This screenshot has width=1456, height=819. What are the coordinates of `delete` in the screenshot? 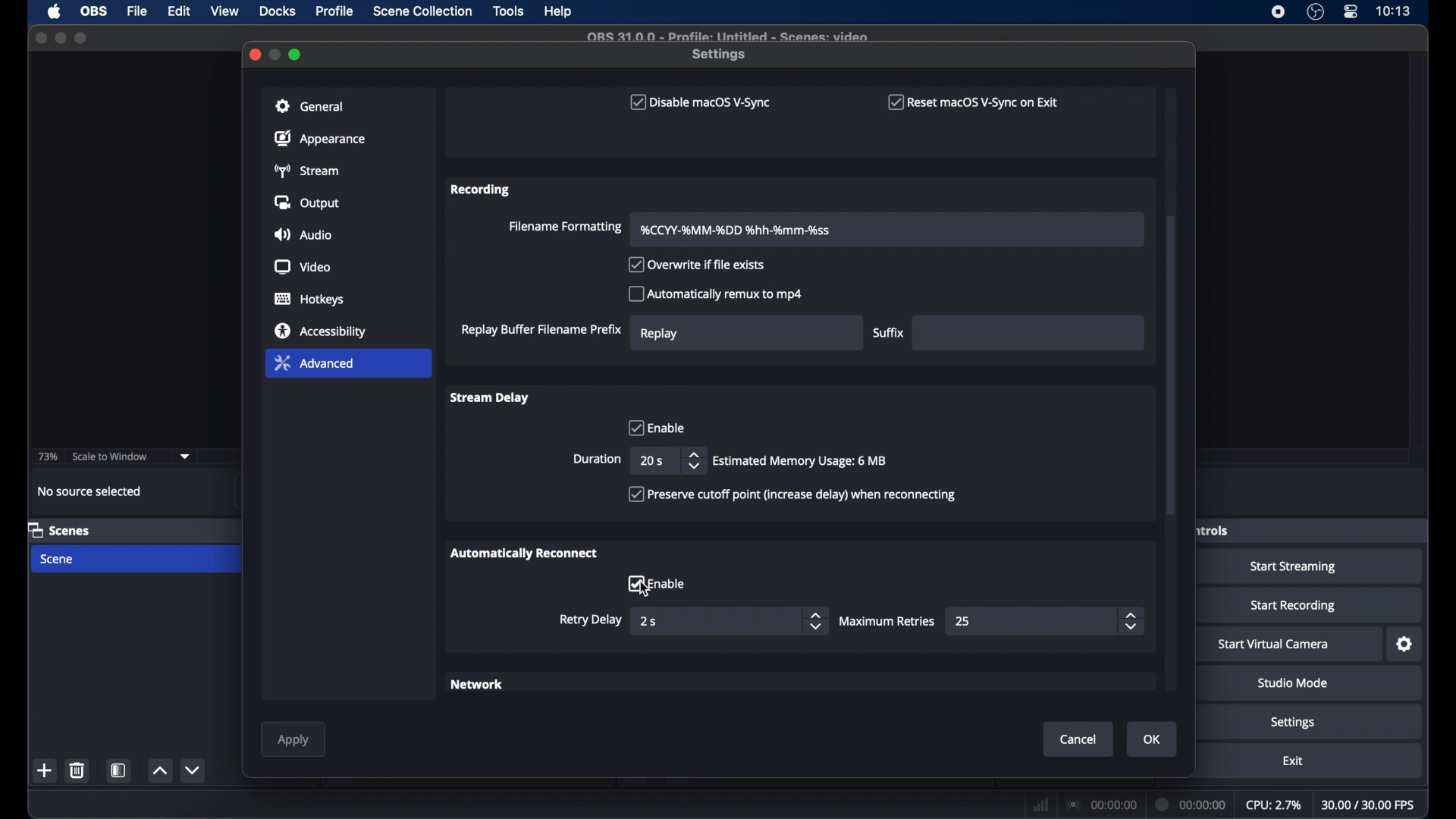 It's located at (77, 770).